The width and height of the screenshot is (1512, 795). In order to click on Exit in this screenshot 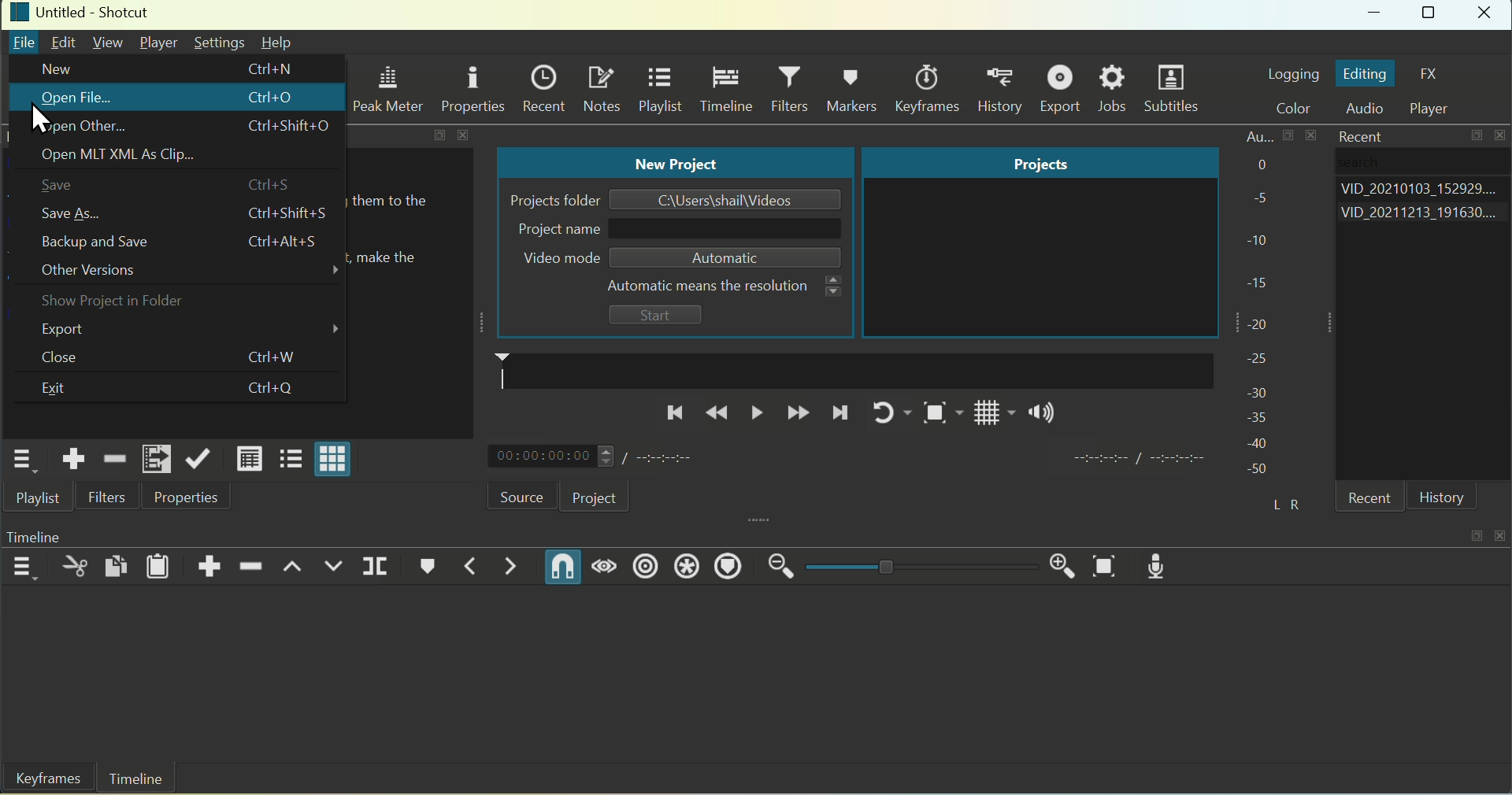, I will do `click(66, 390)`.